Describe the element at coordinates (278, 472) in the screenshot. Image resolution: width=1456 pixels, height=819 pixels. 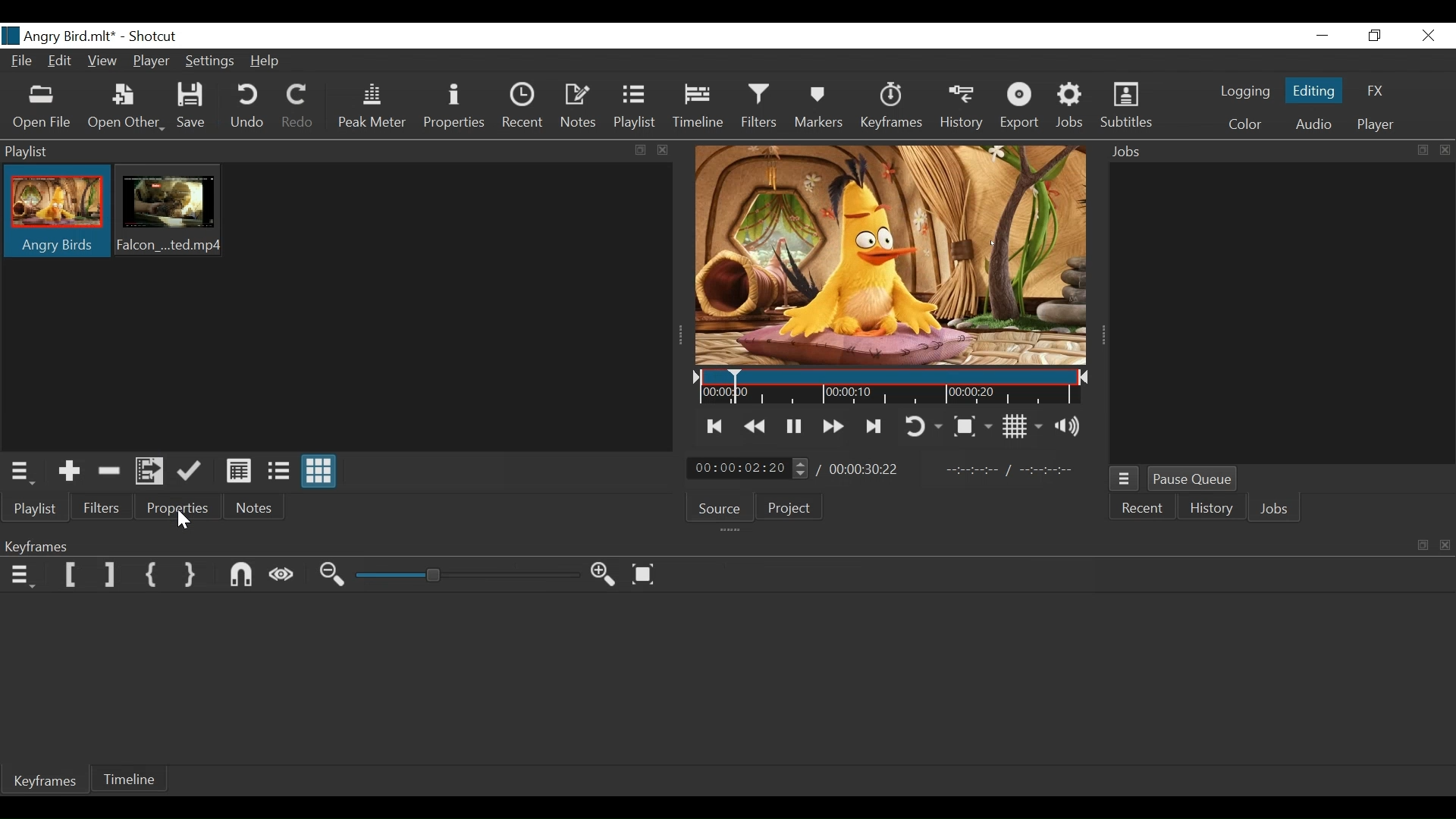
I see `View as file` at that location.